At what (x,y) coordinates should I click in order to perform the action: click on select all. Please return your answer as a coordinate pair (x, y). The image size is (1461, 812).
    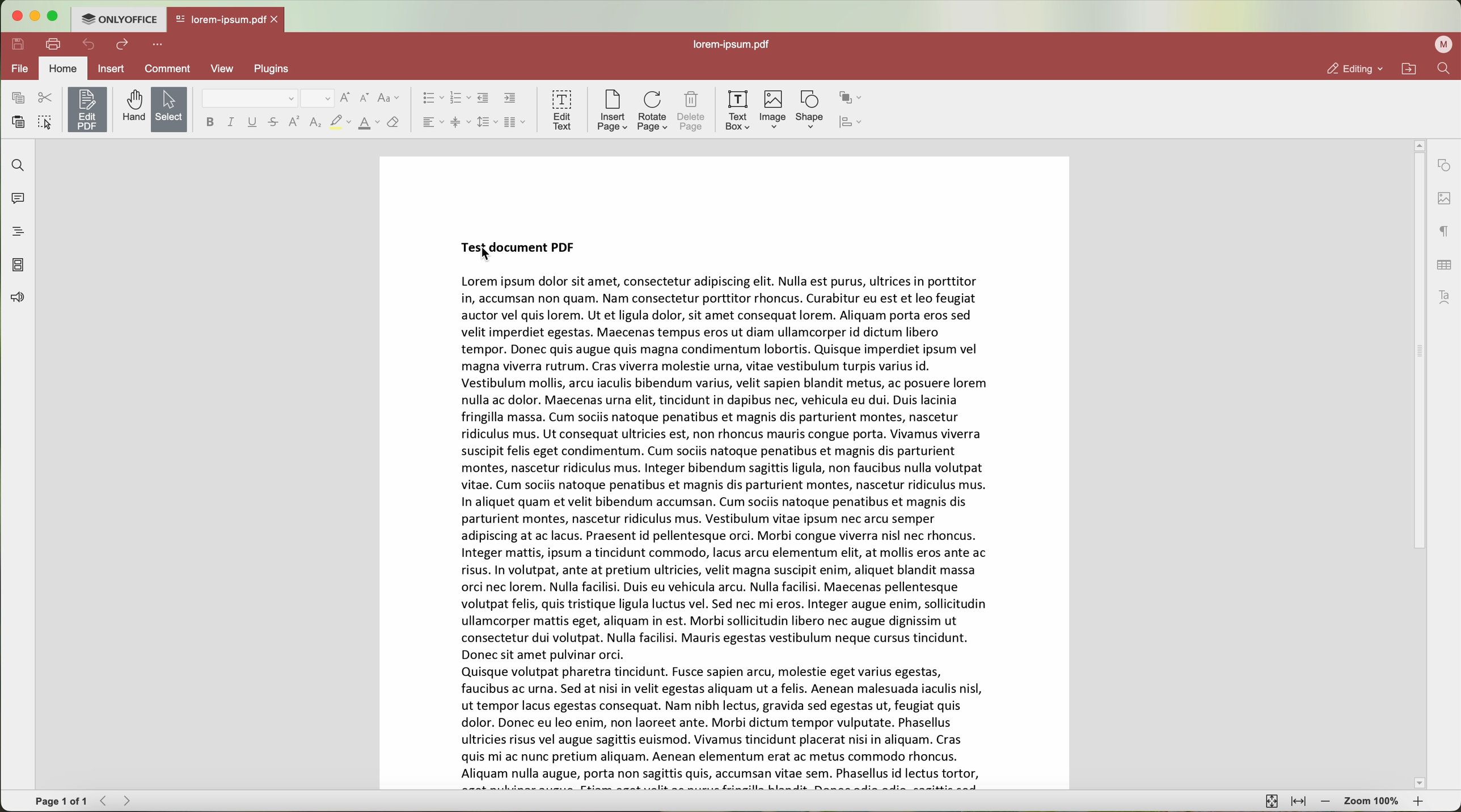
    Looking at the image, I should click on (45, 122).